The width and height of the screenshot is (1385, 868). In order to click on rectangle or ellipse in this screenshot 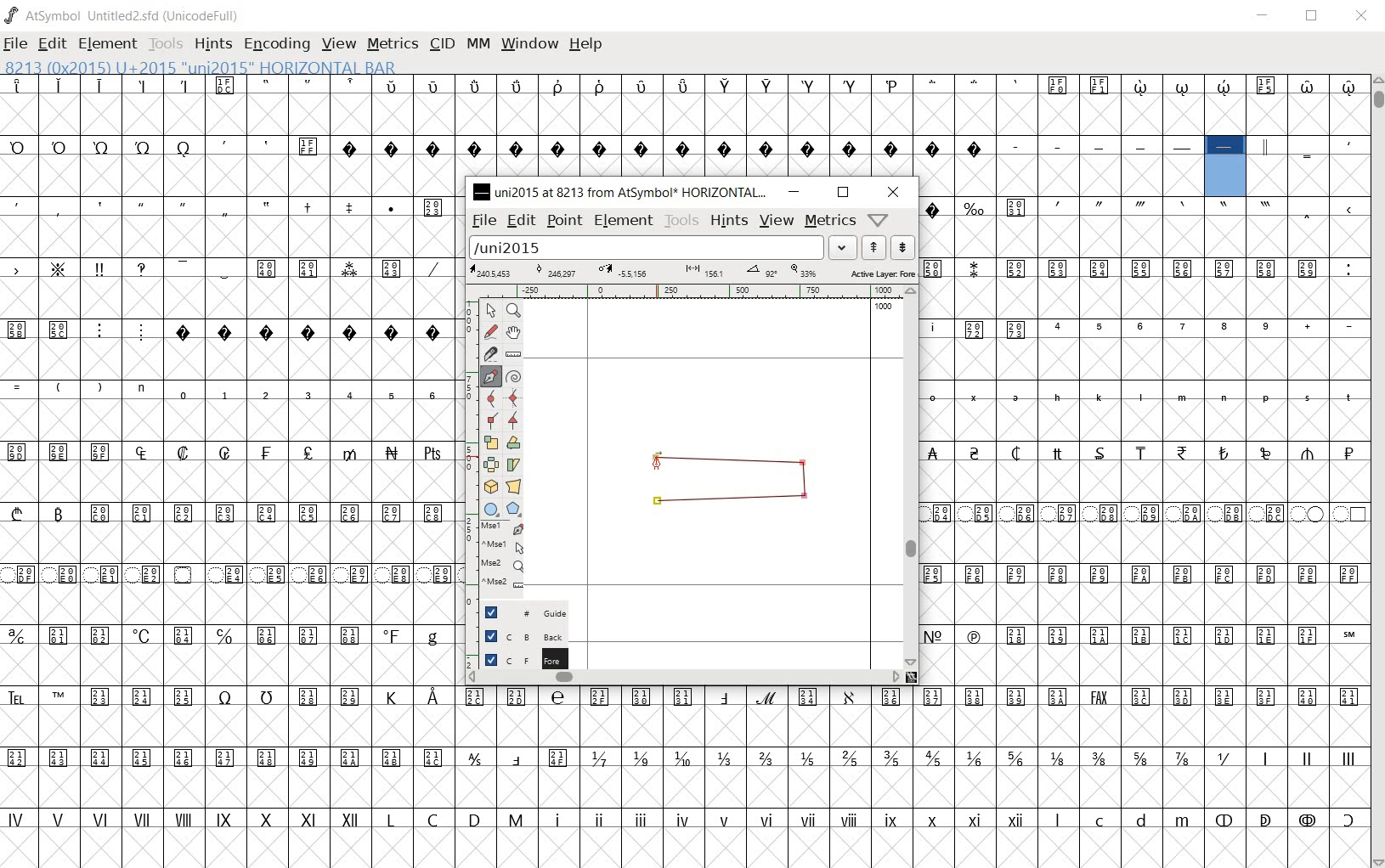, I will do `click(489, 509)`.